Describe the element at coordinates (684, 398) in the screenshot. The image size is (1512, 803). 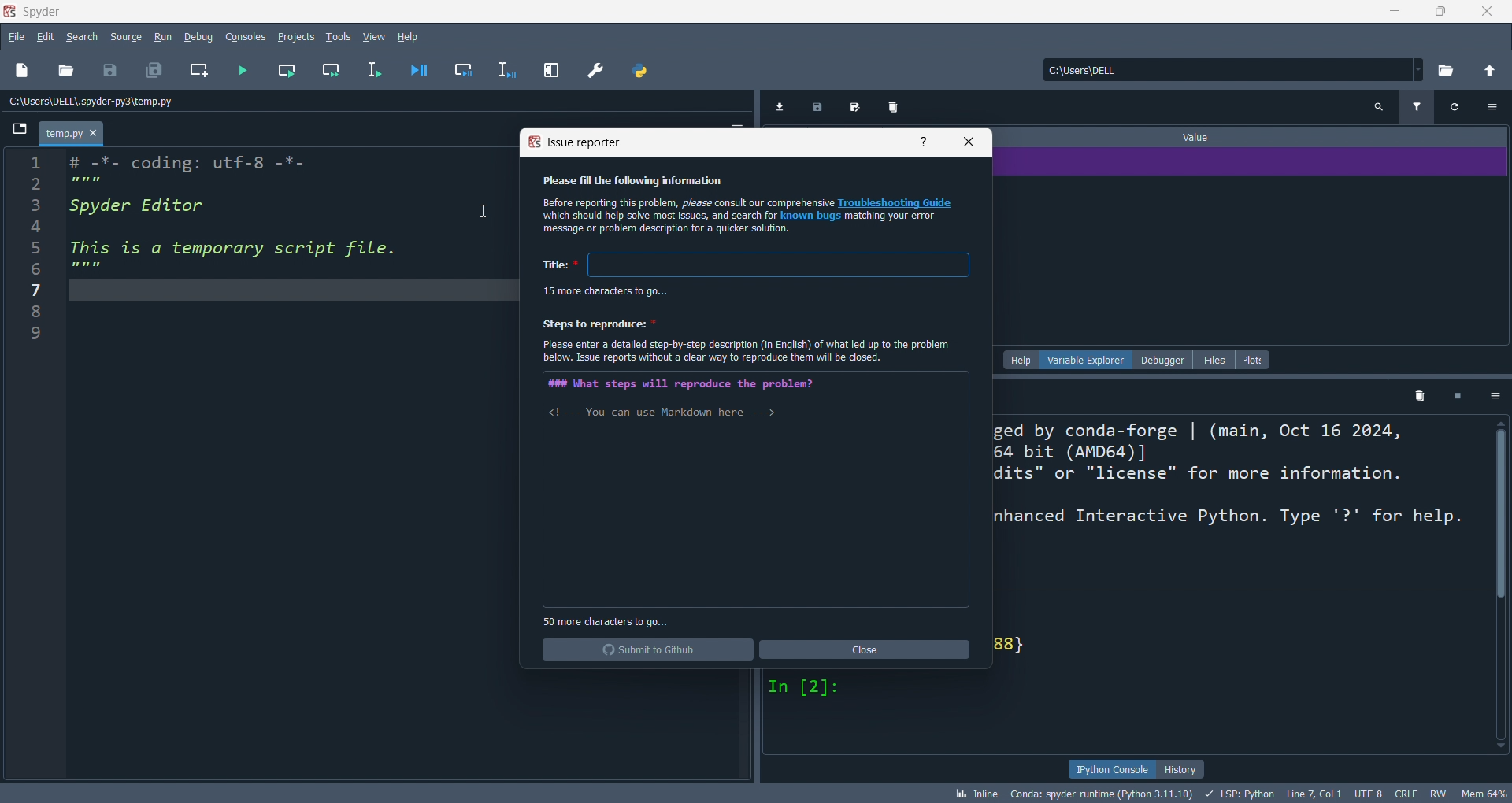
I see `##% What steps will reproduce the problem?
<1--- You can use Markdown here --->` at that location.